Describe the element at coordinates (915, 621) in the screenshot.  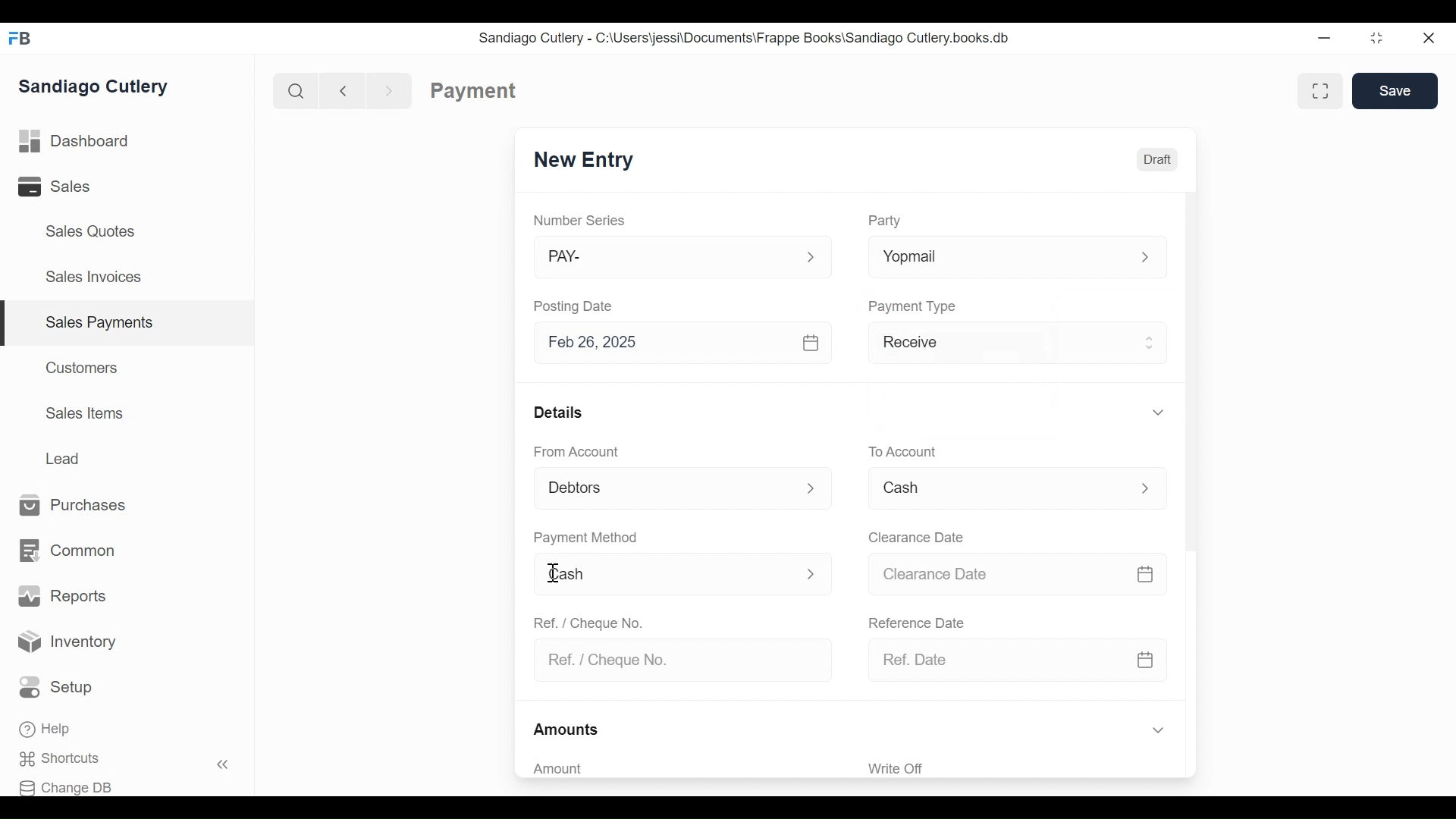
I see `Reference Date` at that location.